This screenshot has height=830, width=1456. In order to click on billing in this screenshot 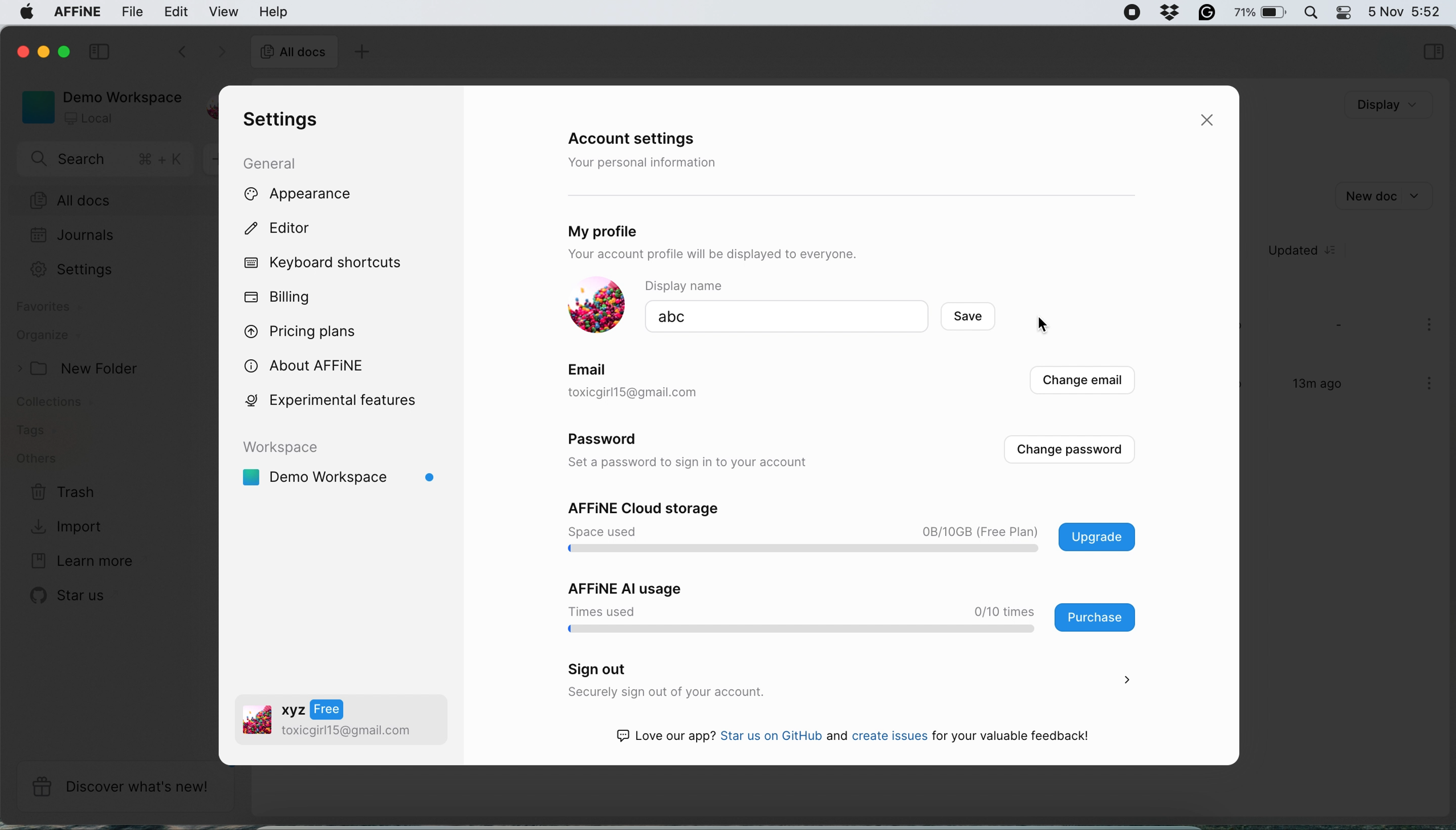, I will do `click(279, 298)`.